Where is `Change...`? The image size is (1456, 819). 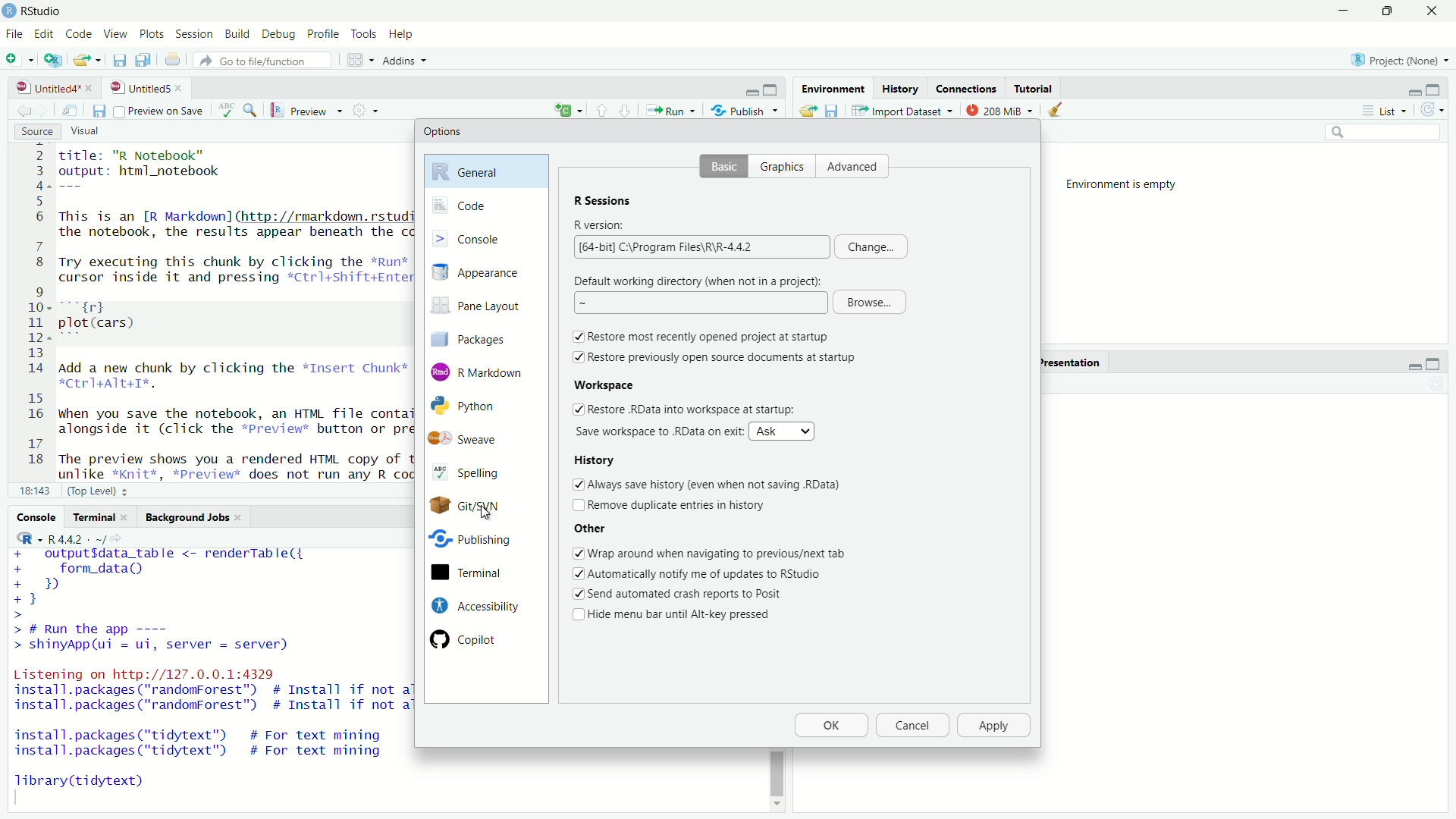
Change... is located at coordinates (871, 246).